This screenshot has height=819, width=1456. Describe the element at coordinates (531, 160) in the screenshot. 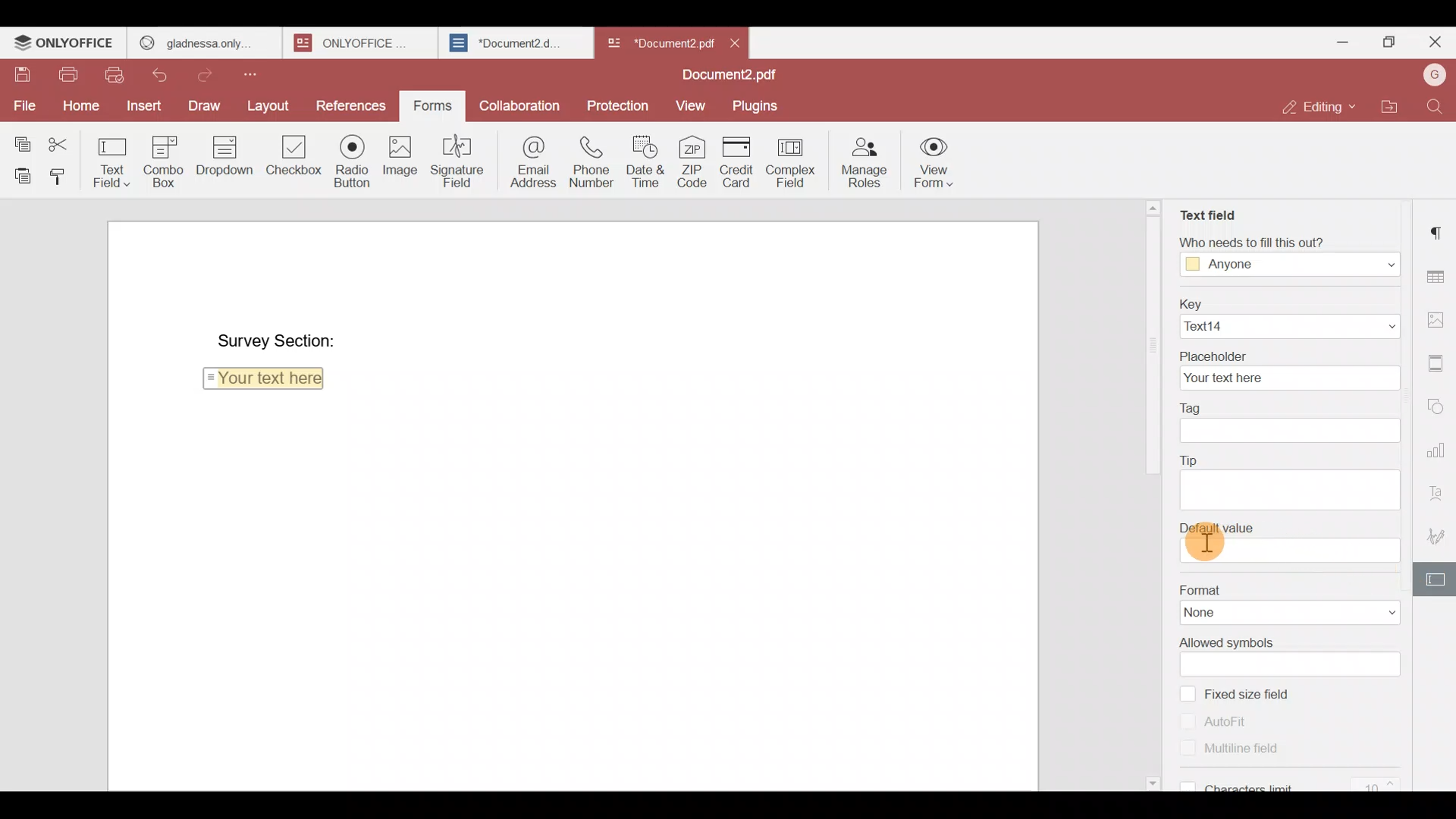

I see `Email address` at that location.